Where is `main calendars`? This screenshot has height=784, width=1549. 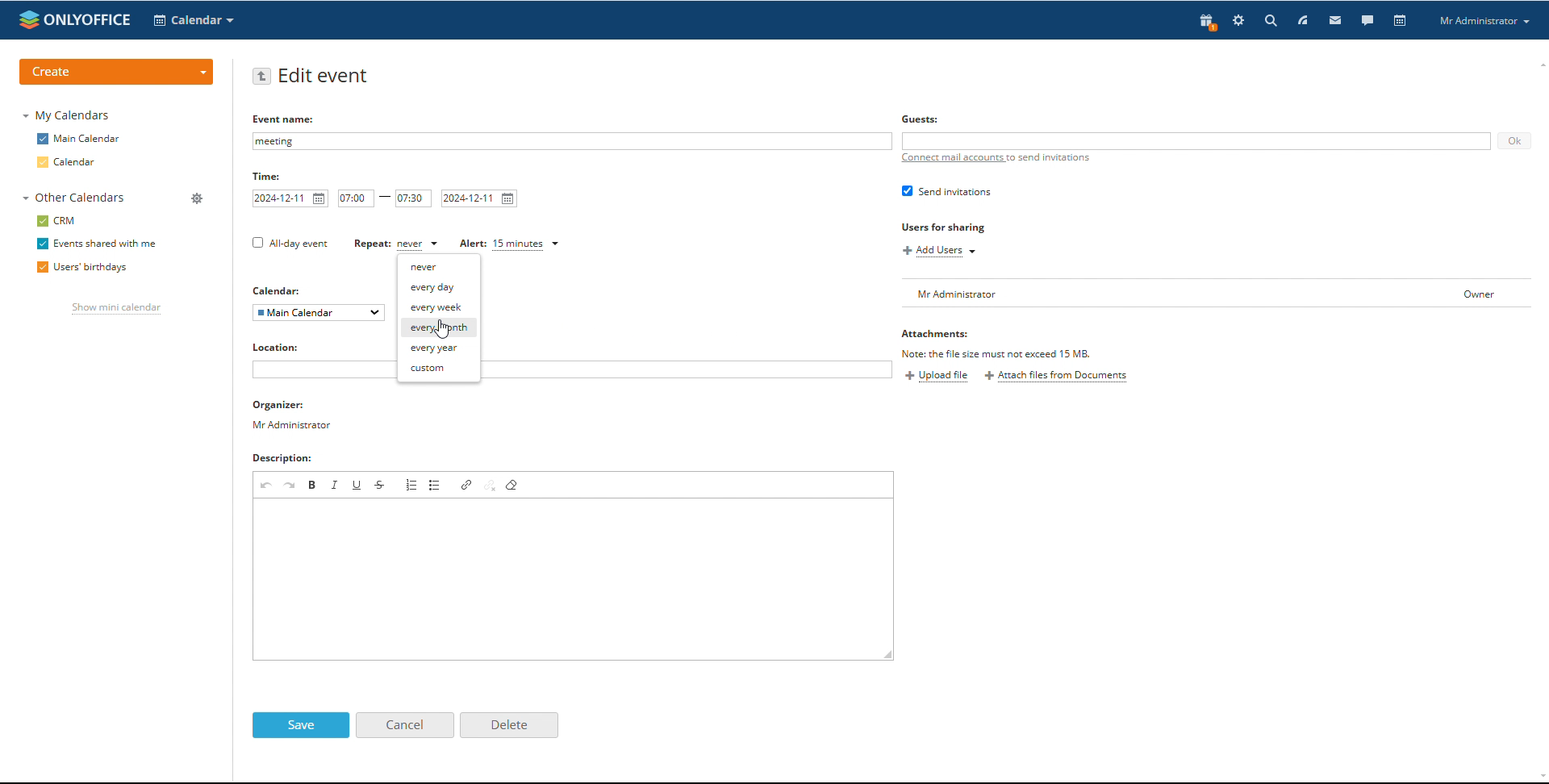 main calendars is located at coordinates (78, 138).